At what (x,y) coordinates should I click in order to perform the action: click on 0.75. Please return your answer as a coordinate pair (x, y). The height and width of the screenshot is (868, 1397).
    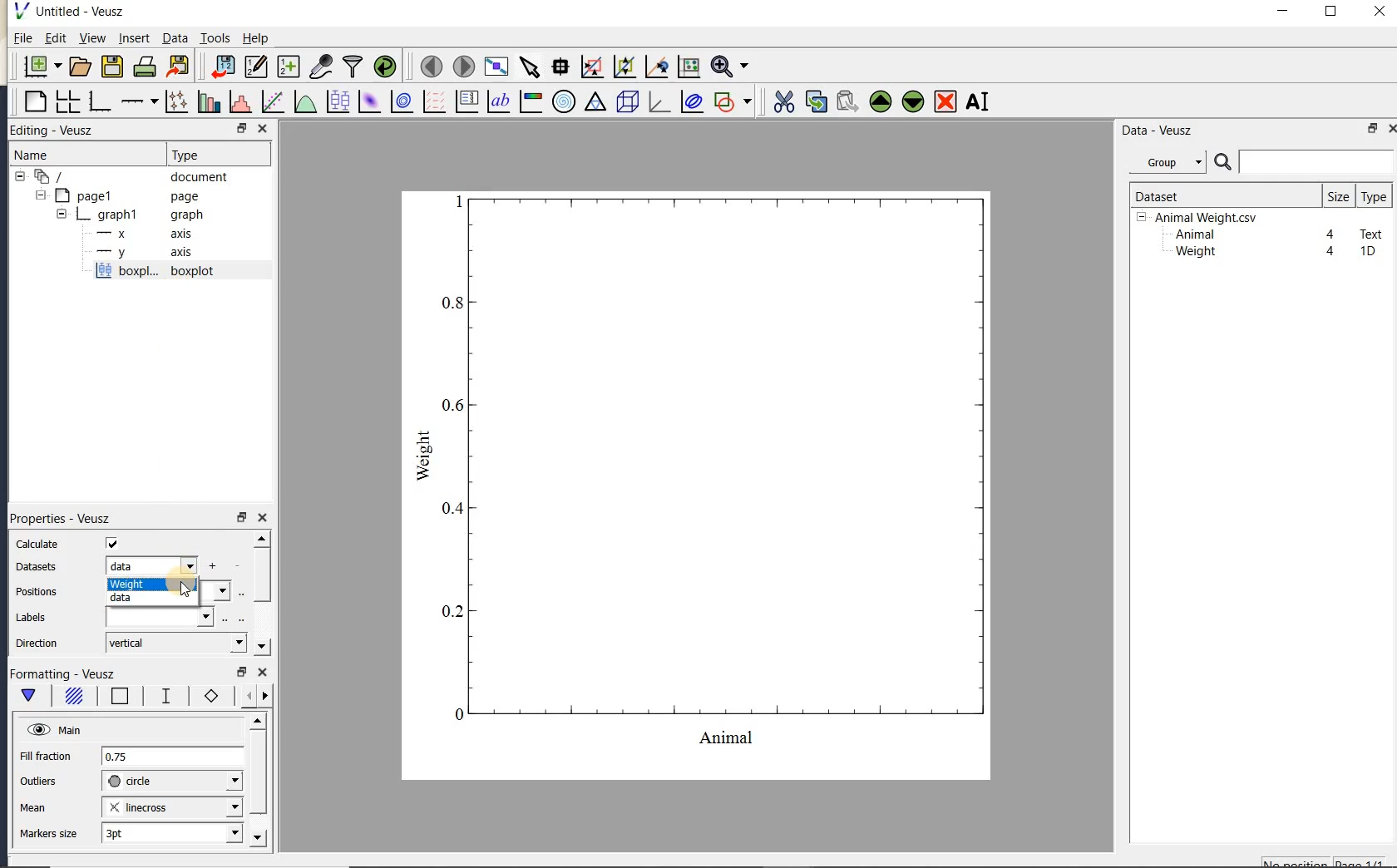
    Looking at the image, I should click on (172, 757).